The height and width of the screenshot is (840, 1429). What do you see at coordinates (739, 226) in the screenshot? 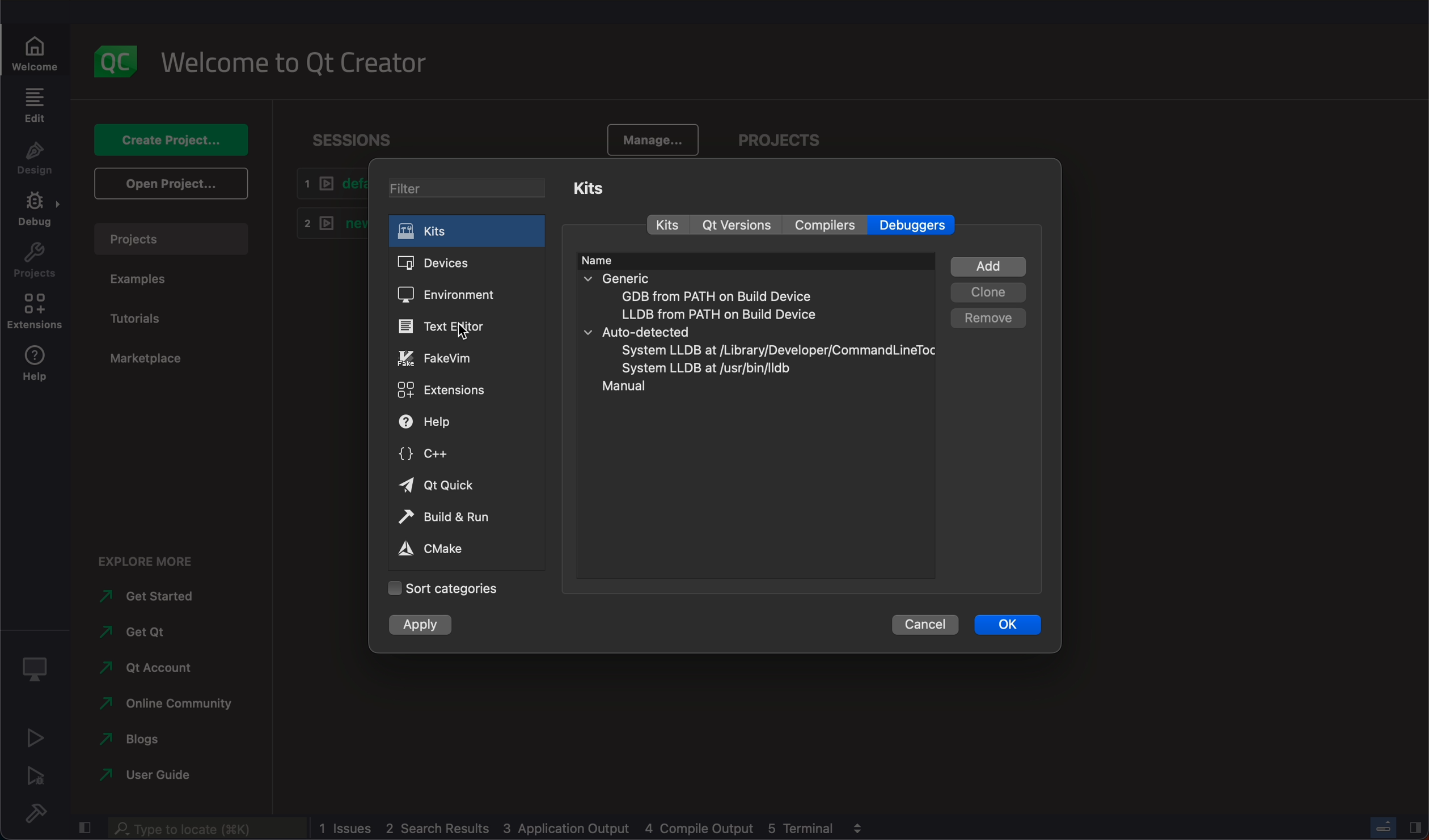
I see `qt versions` at bounding box center [739, 226].